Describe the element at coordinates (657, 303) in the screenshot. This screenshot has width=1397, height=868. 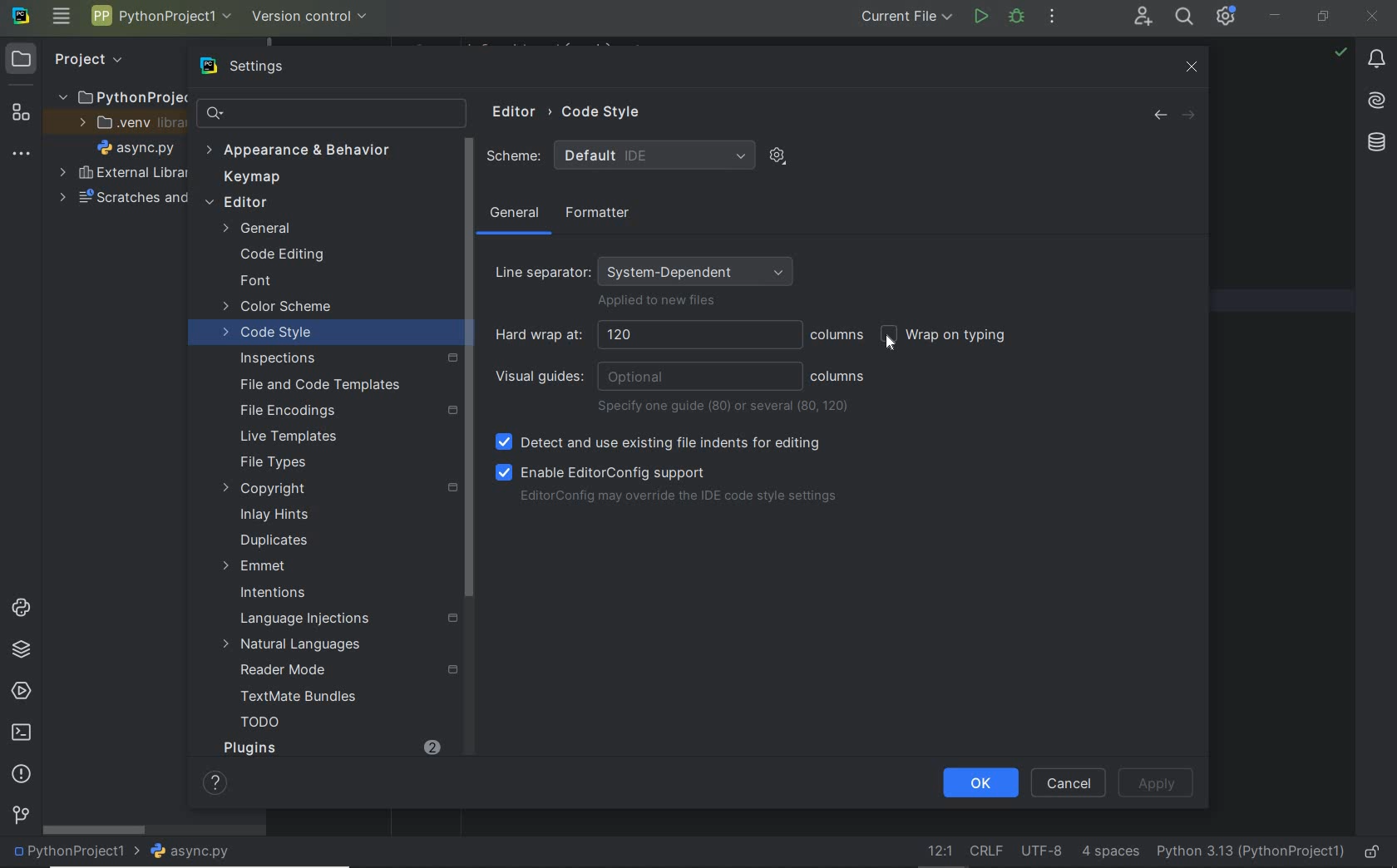
I see `Applied to new files` at that location.